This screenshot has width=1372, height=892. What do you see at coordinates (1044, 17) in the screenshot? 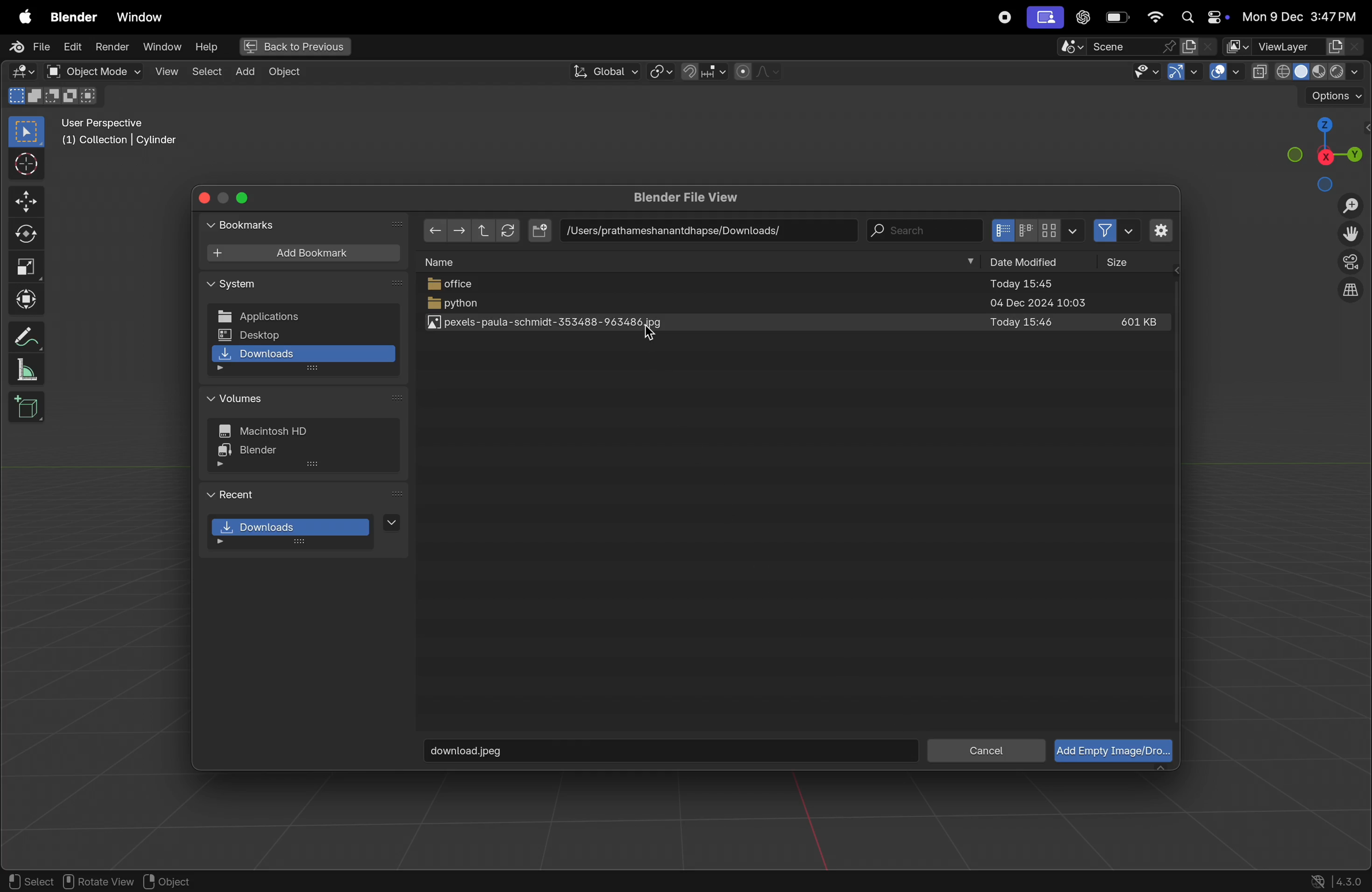
I see `screenui` at bounding box center [1044, 17].